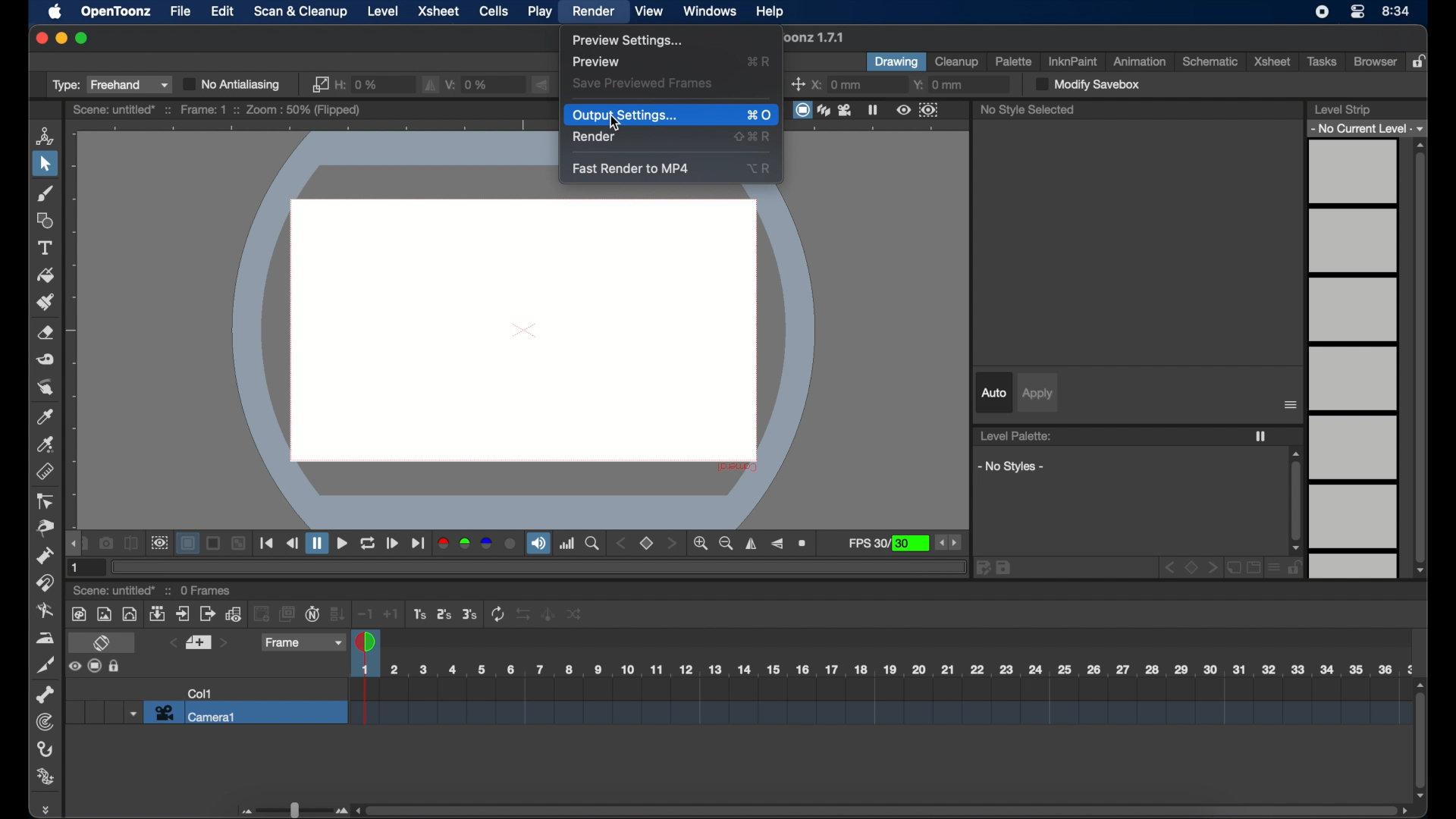 The height and width of the screenshot is (819, 1456). What do you see at coordinates (1341, 109) in the screenshot?
I see `level strip` at bounding box center [1341, 109].